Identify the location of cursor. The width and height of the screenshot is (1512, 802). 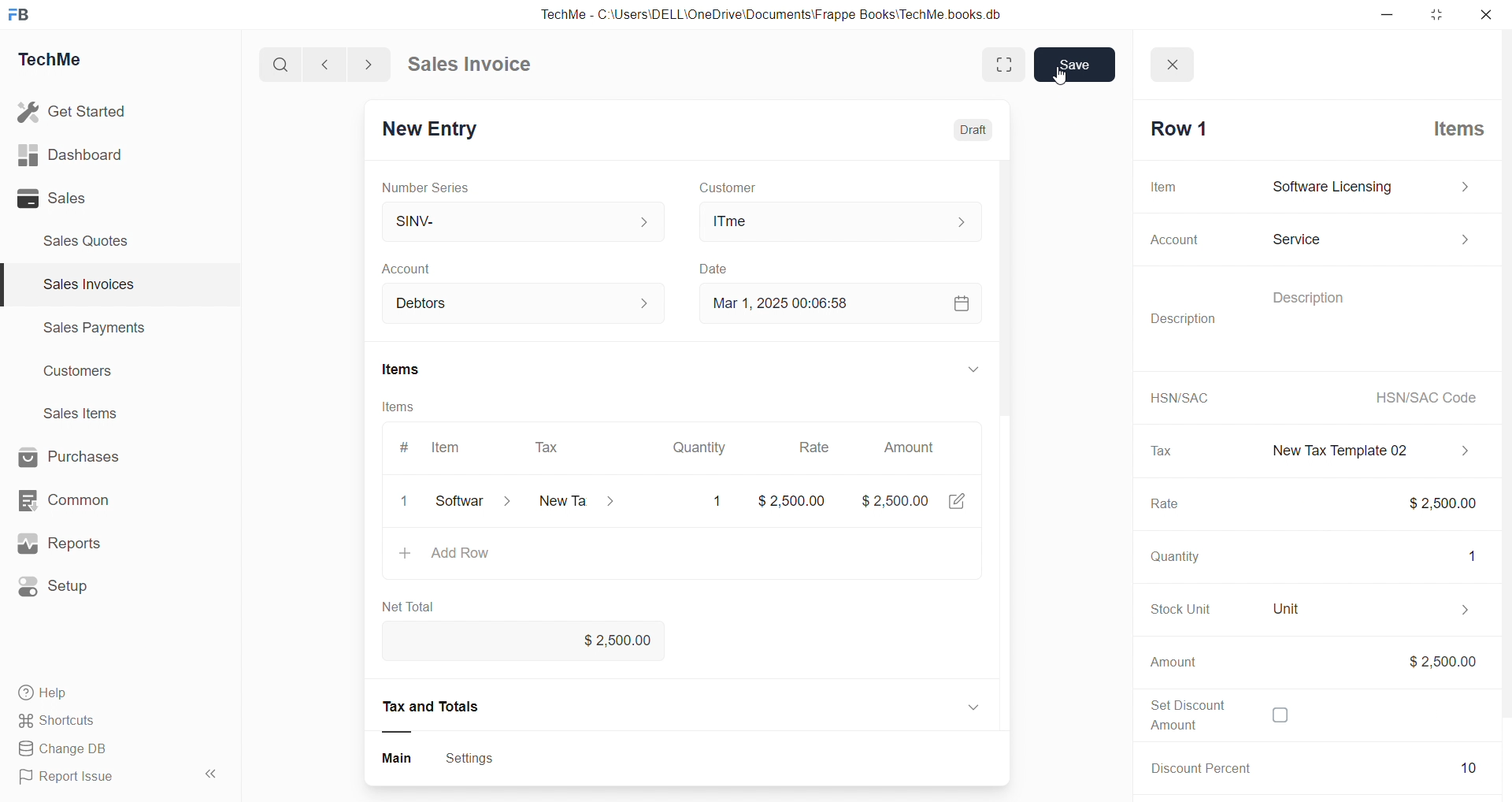
(1062, 87).